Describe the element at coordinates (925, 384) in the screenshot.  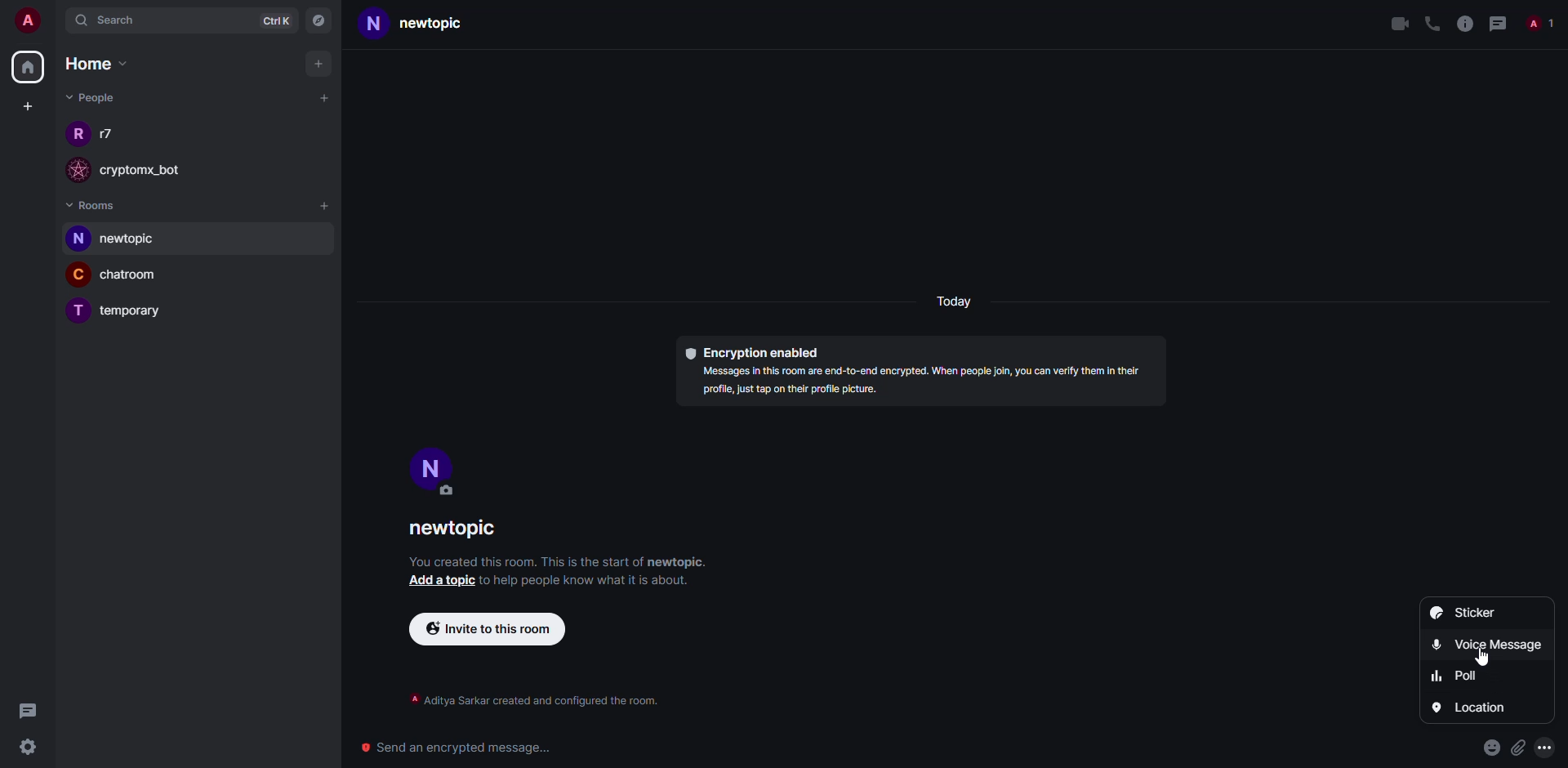
I see `info` at that location.